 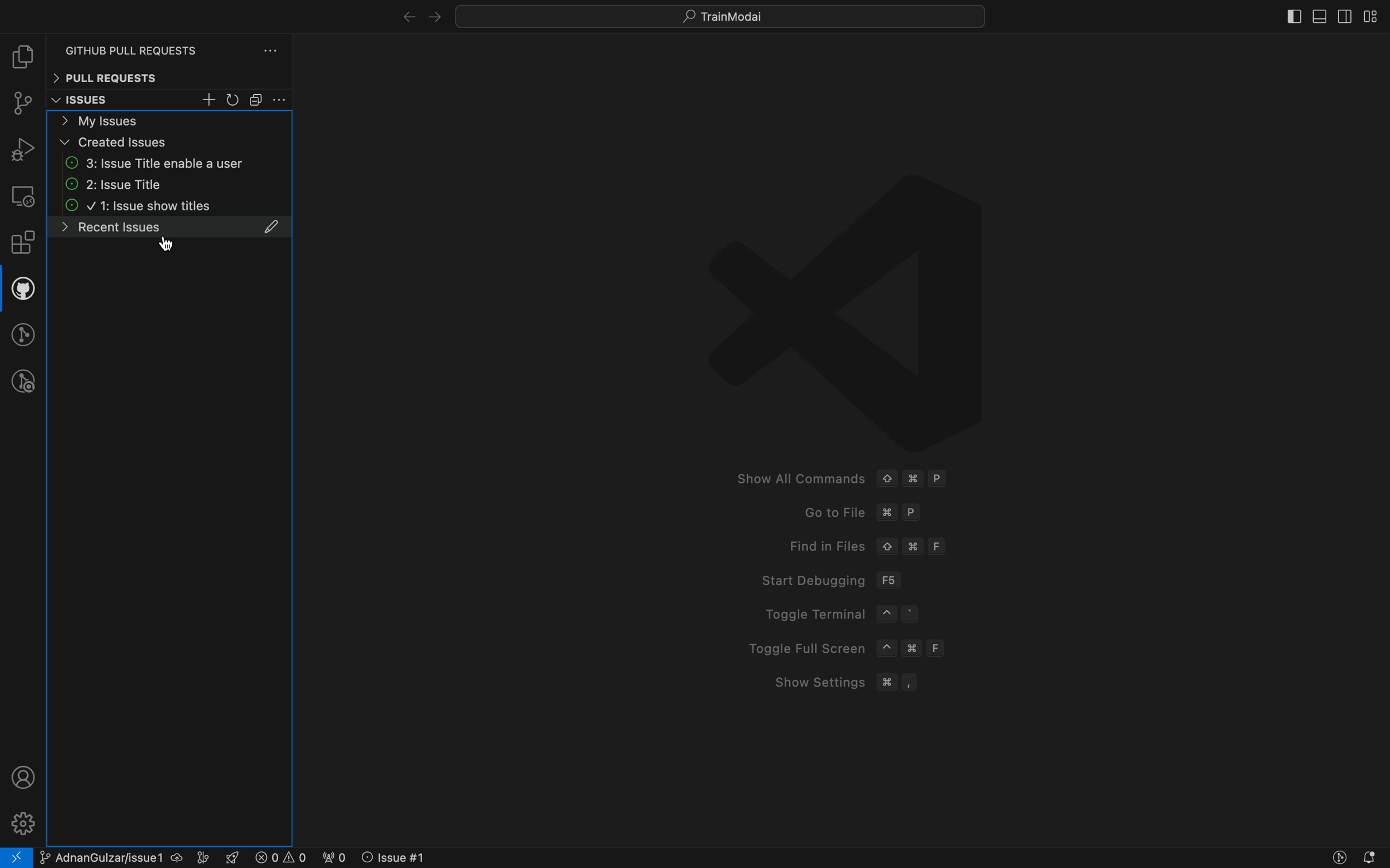 I want to click on remote explorer , so click(x=22, y=196).